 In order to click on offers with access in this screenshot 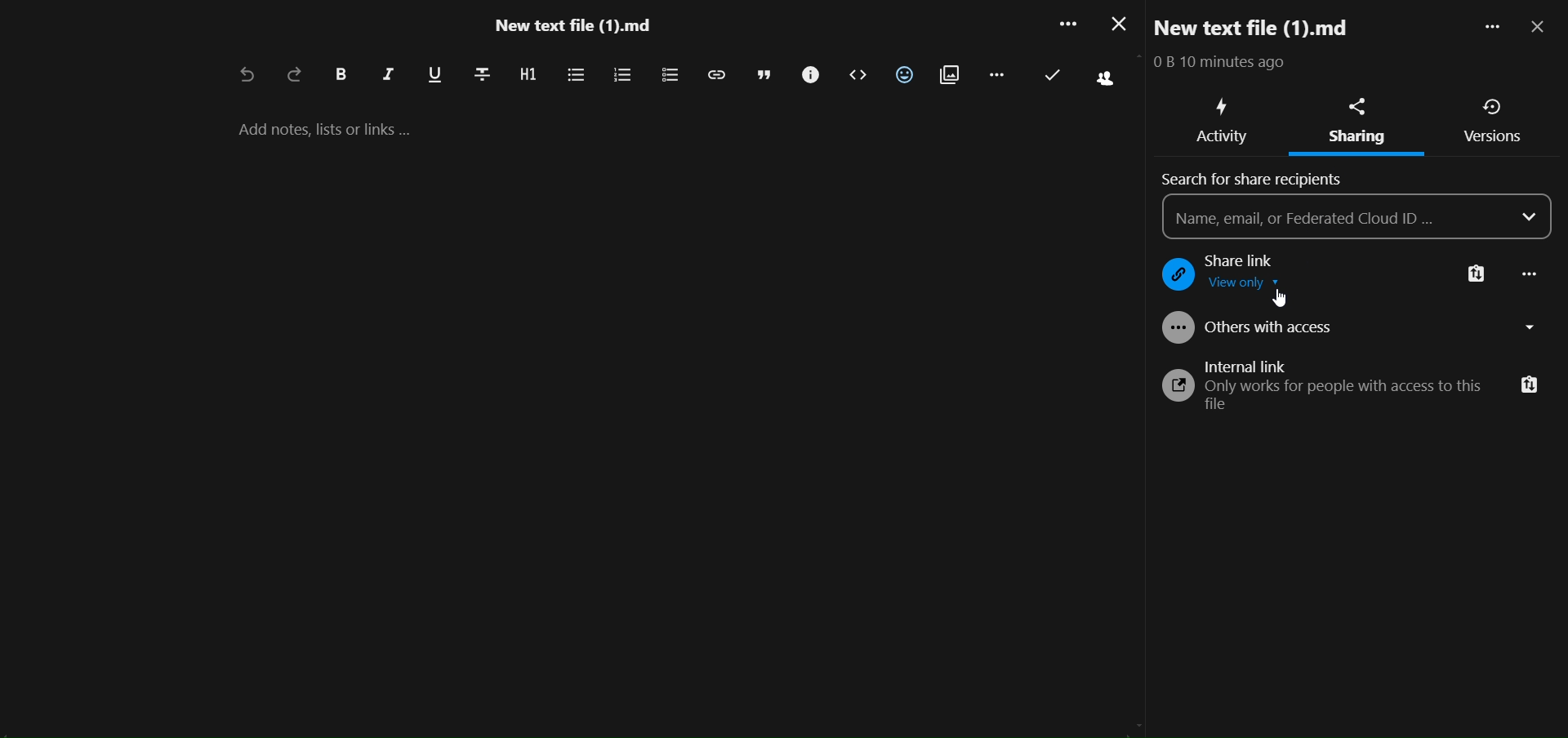, I will do `click(1273, 331)`.